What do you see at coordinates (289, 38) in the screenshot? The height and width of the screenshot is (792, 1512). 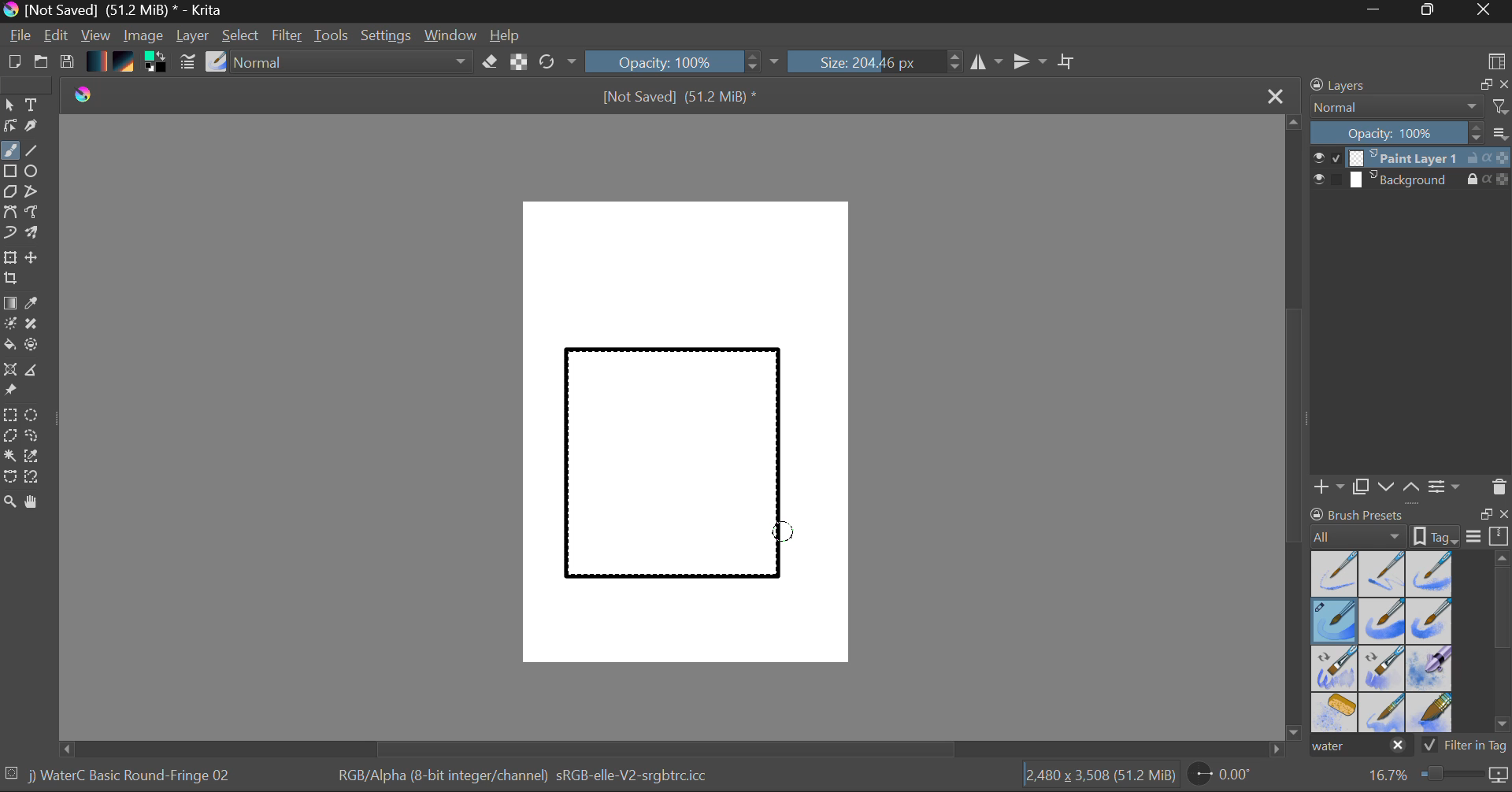 I see `Filter` at bounding box center [289, 38].